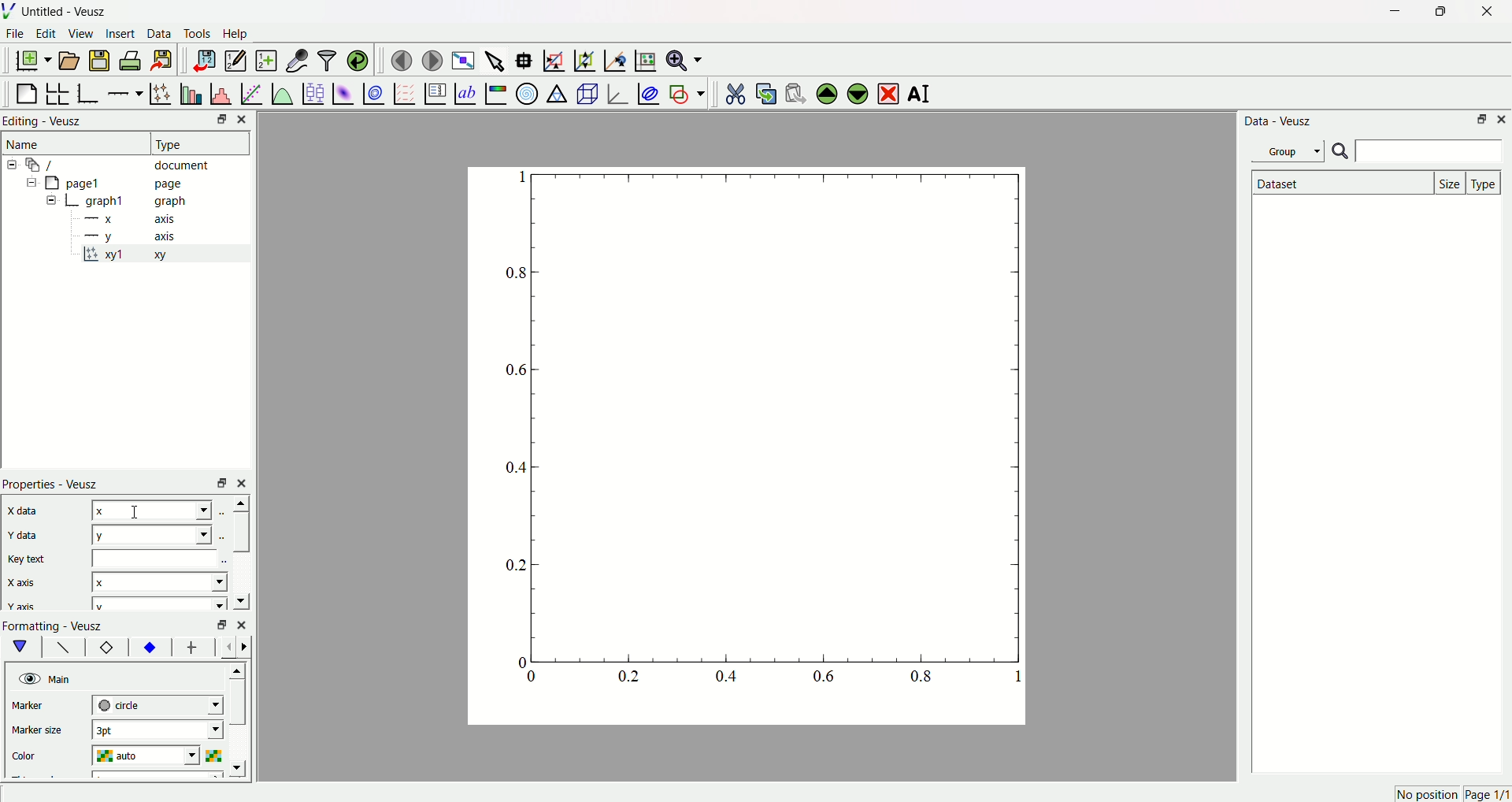 This screenshot has height=802, width=1512. I want to click on Minimize, so click(1480, 121).